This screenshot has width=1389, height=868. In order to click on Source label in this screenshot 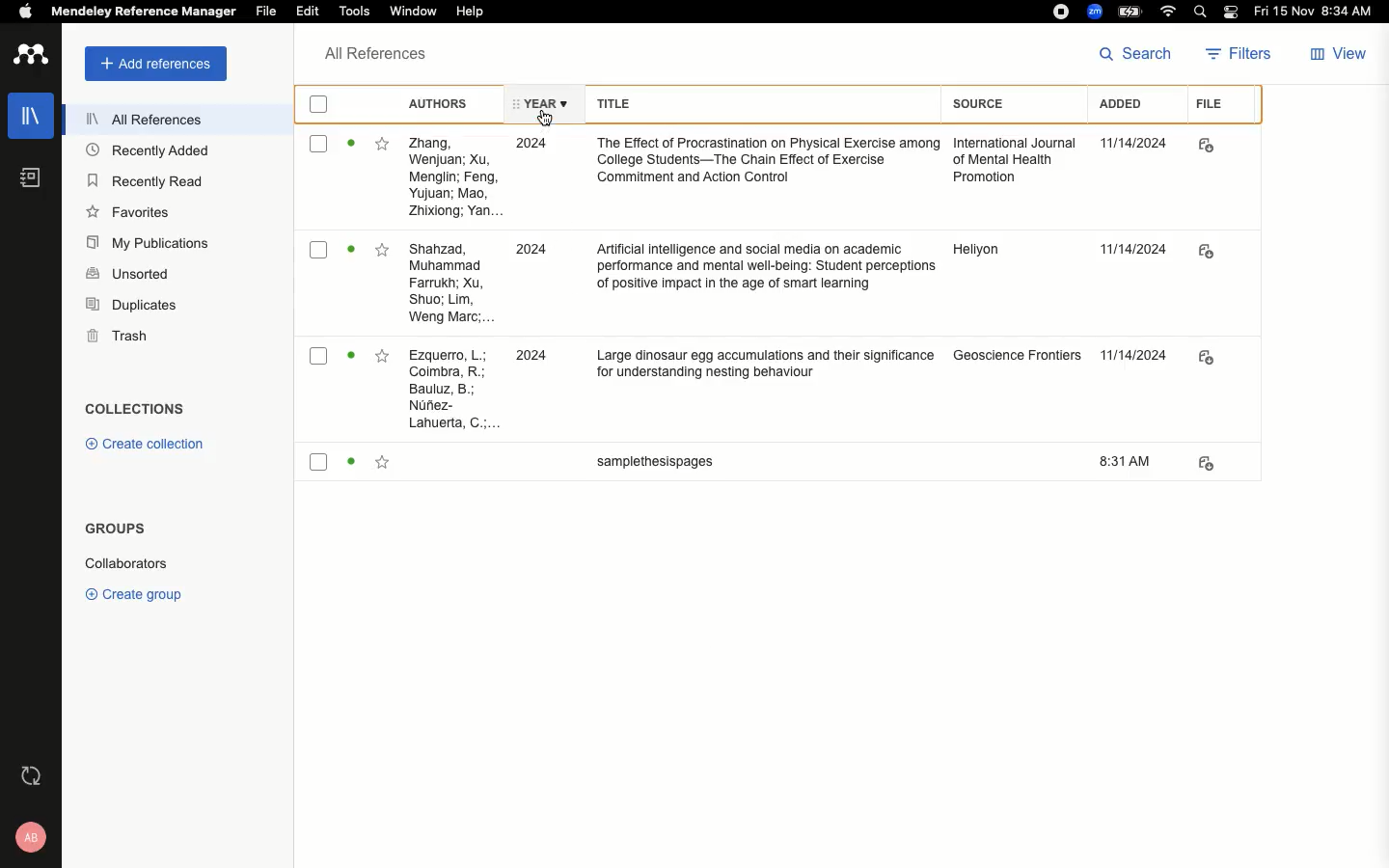, I will do `click(1001, 103)`.